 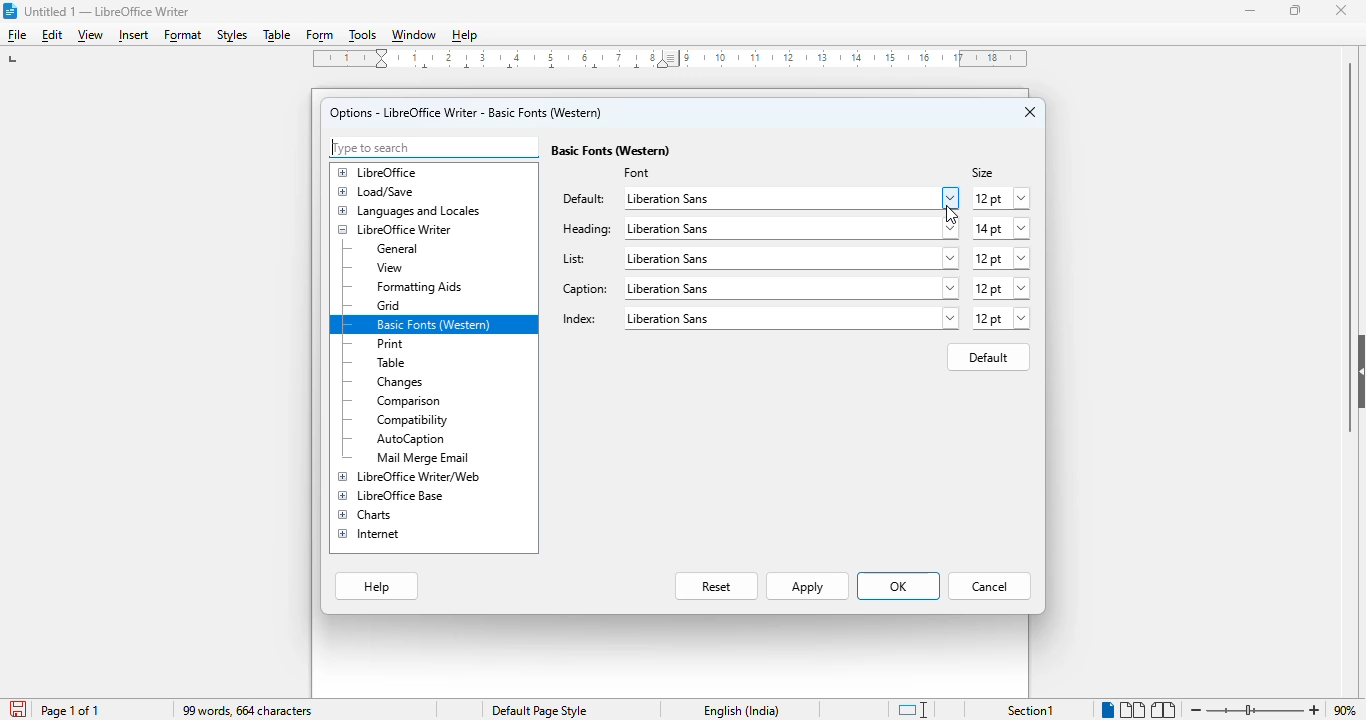 I want to click on grid, so click(x=390, y=307).